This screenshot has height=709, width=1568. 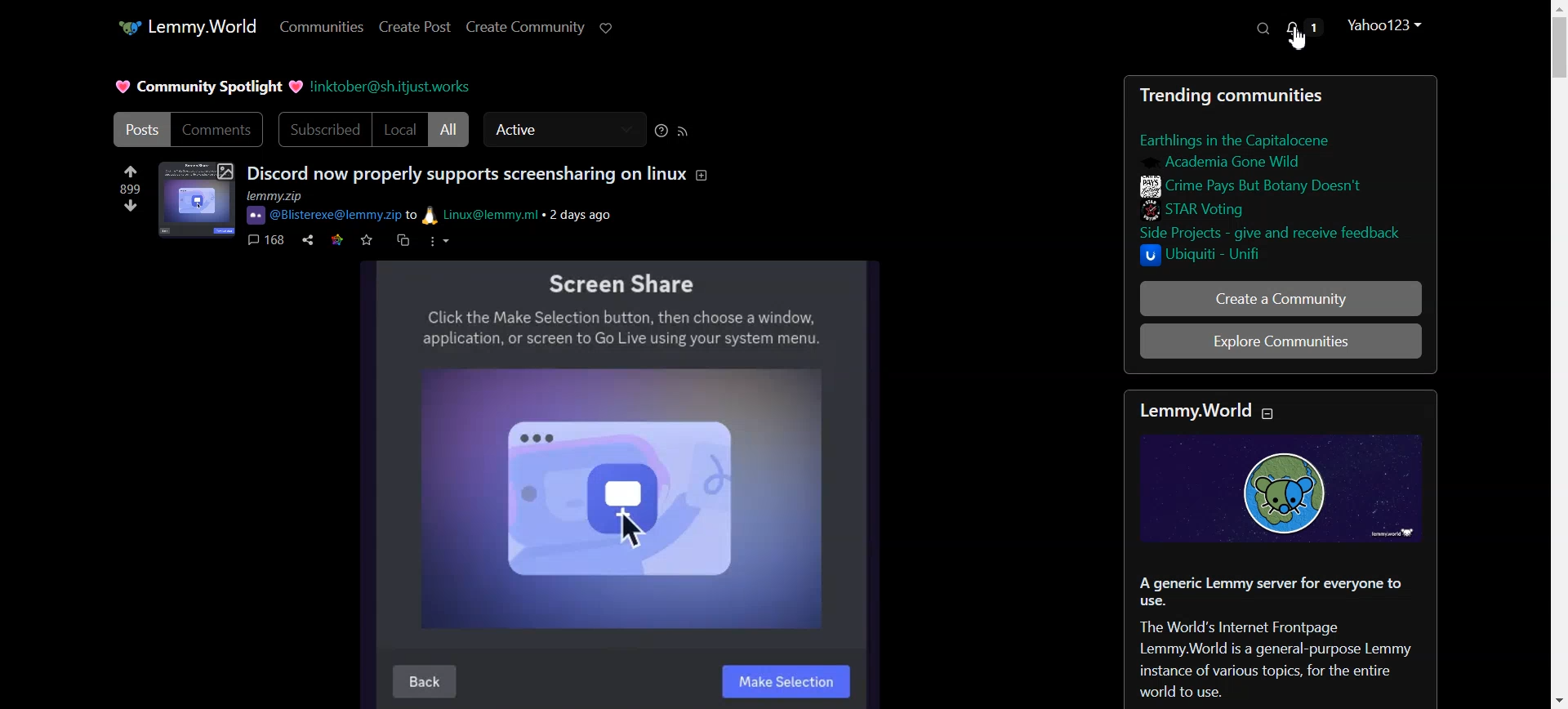 I want to click on RSS, so click(x=683, y=132).